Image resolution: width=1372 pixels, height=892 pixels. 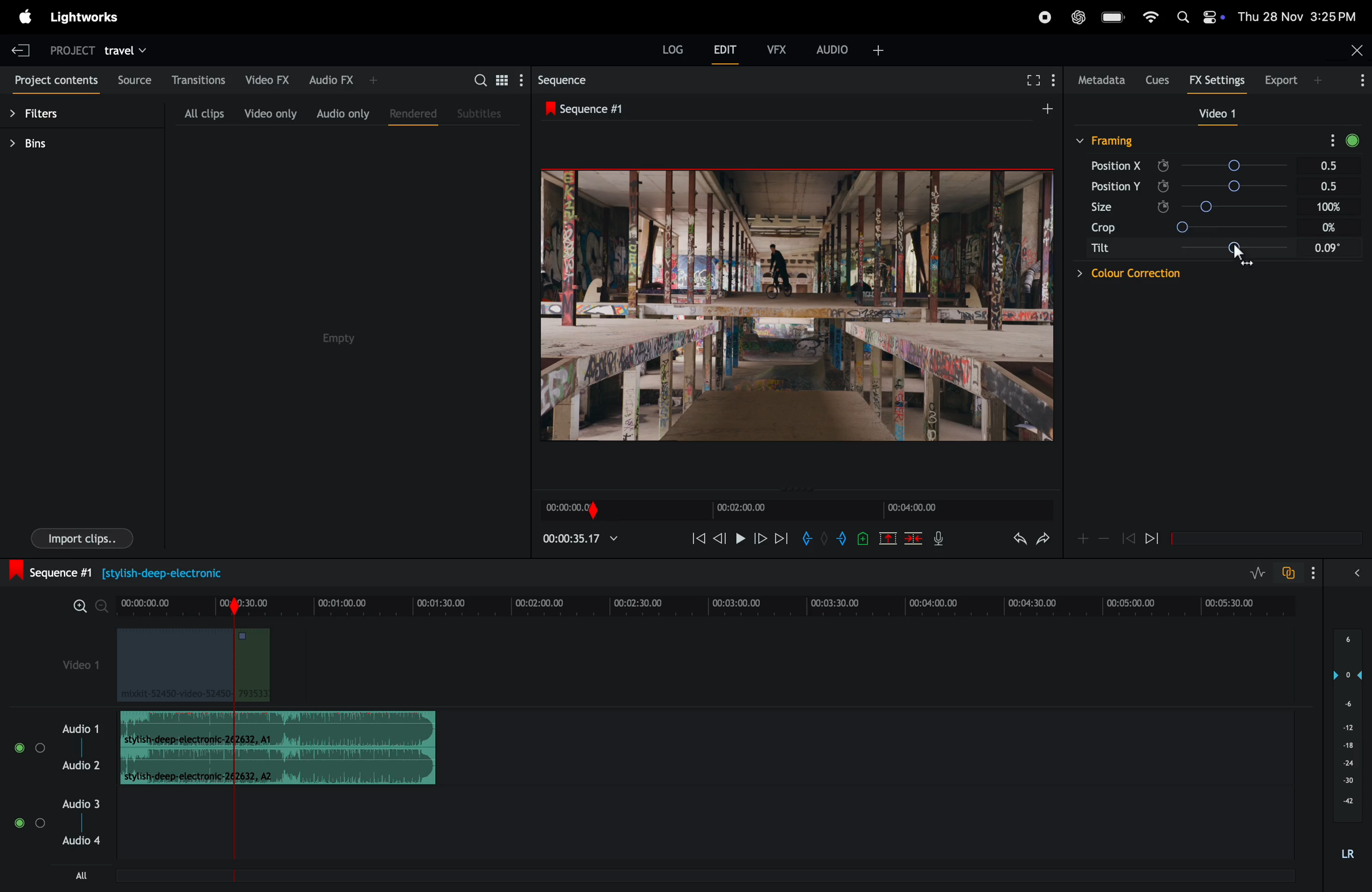 I want to click on chatgpt, so click(x=1078, y=17).